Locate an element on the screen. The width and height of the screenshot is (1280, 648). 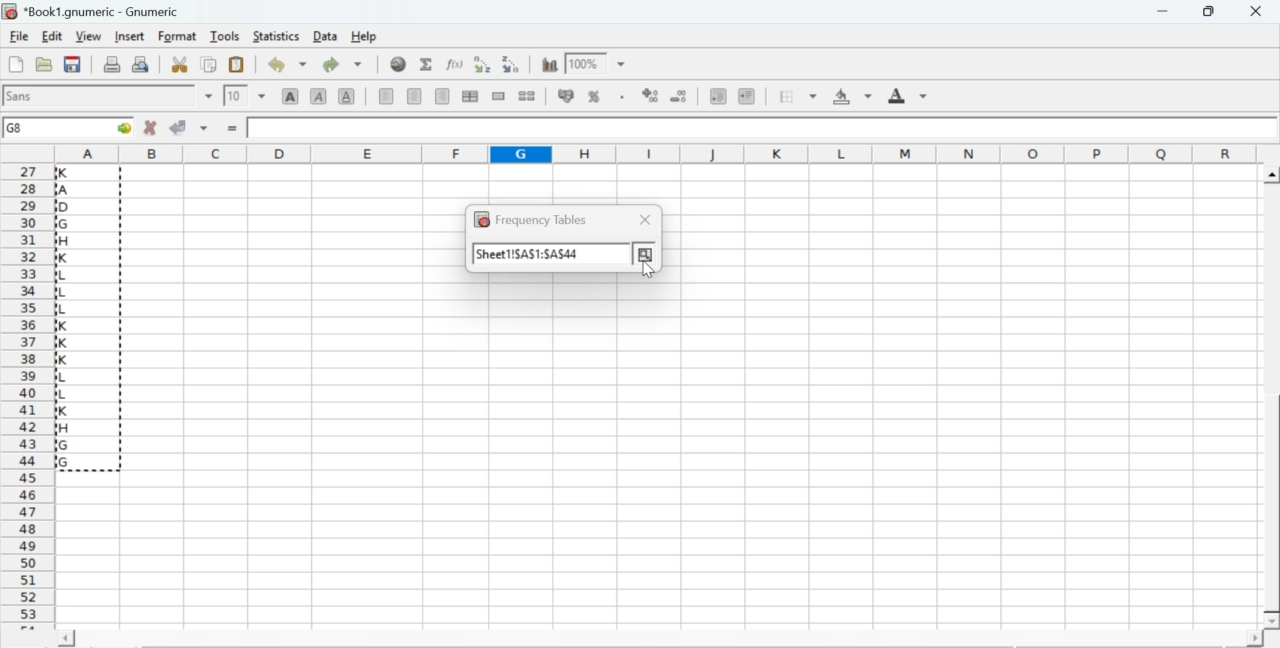
help is located at coordinates (366, 37).